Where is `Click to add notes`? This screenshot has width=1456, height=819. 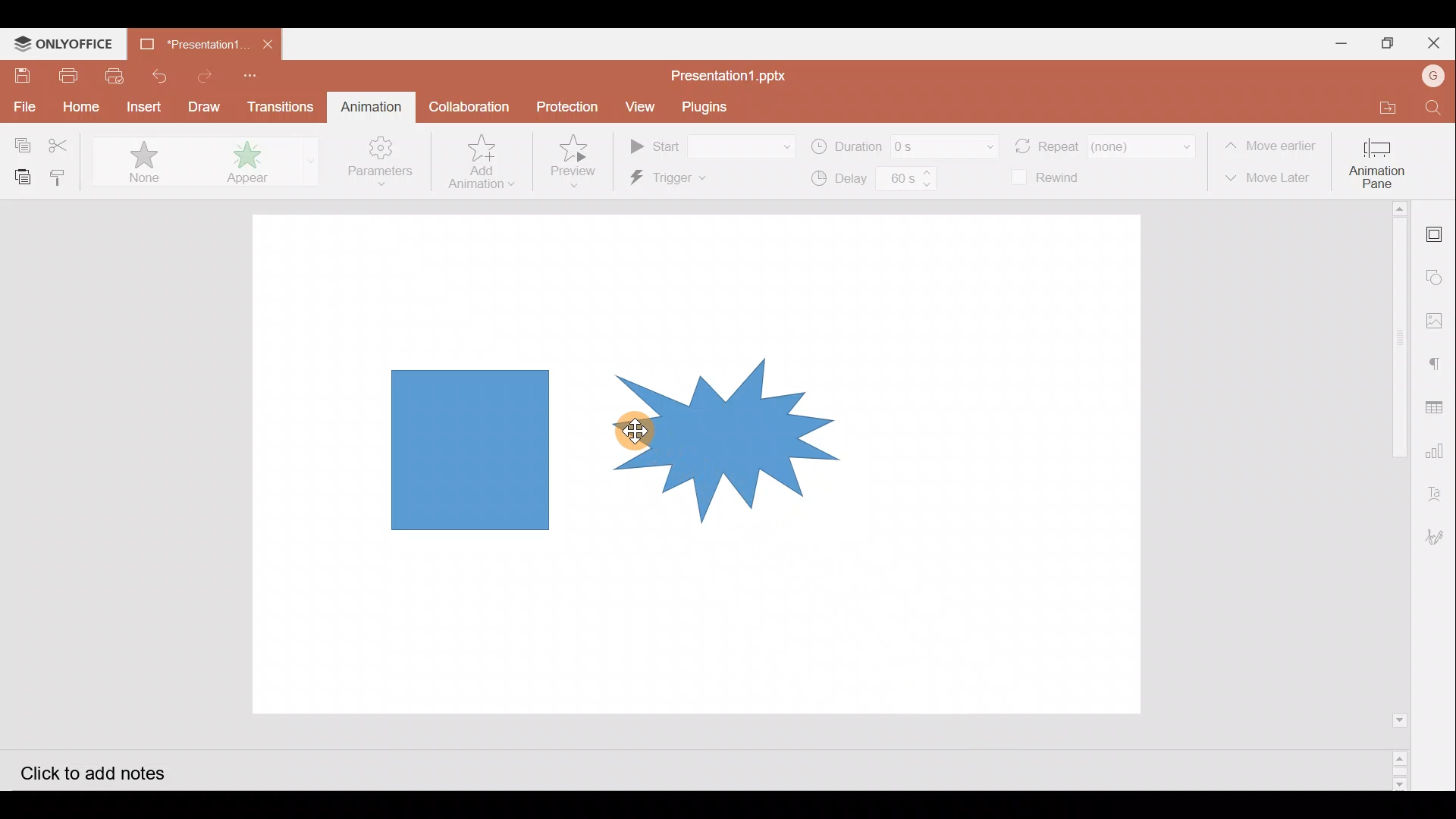
Click to add notes is located at coordinates (109, 770).